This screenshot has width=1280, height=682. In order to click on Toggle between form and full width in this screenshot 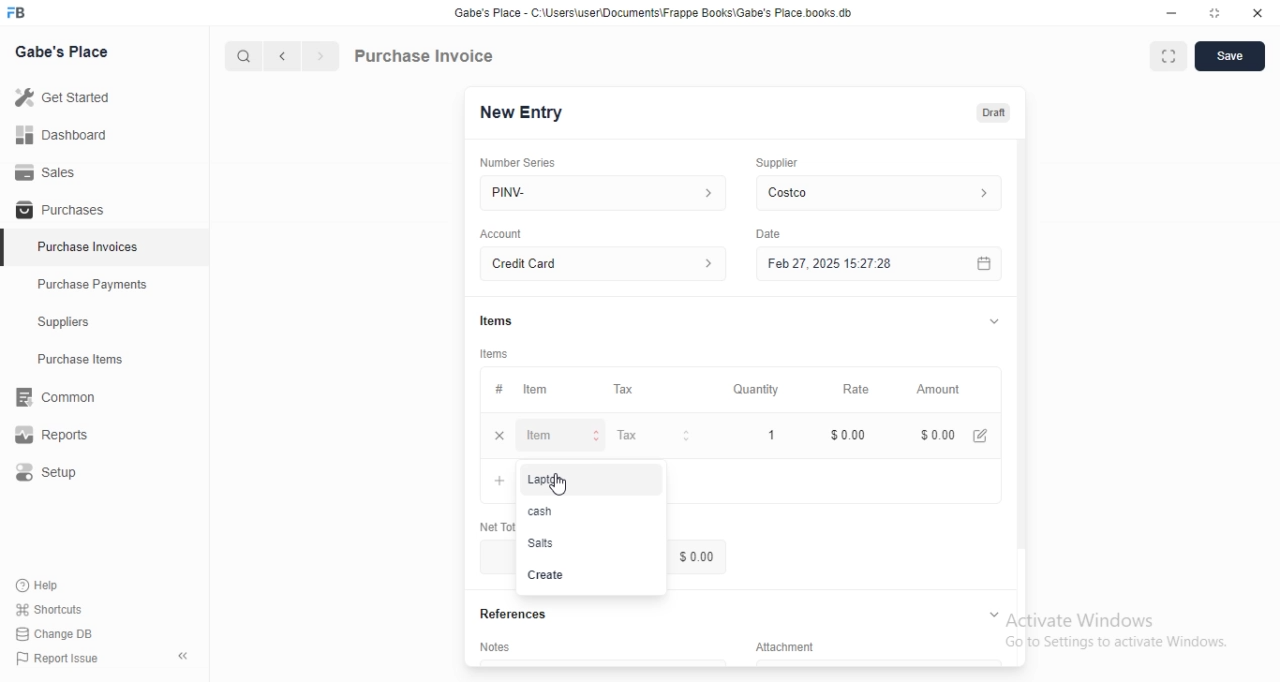, I will do `click(1169, 56)`.